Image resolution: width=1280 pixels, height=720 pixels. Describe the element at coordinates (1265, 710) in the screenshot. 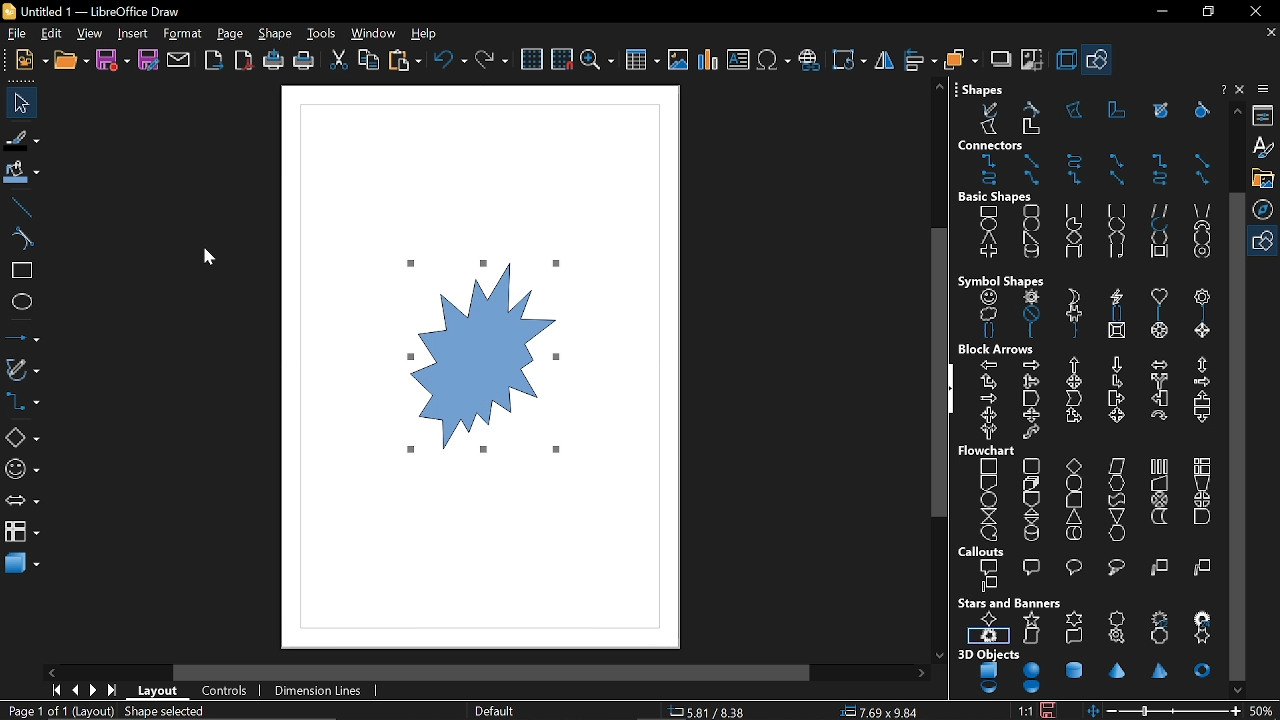

I see `Zoom` at that location.